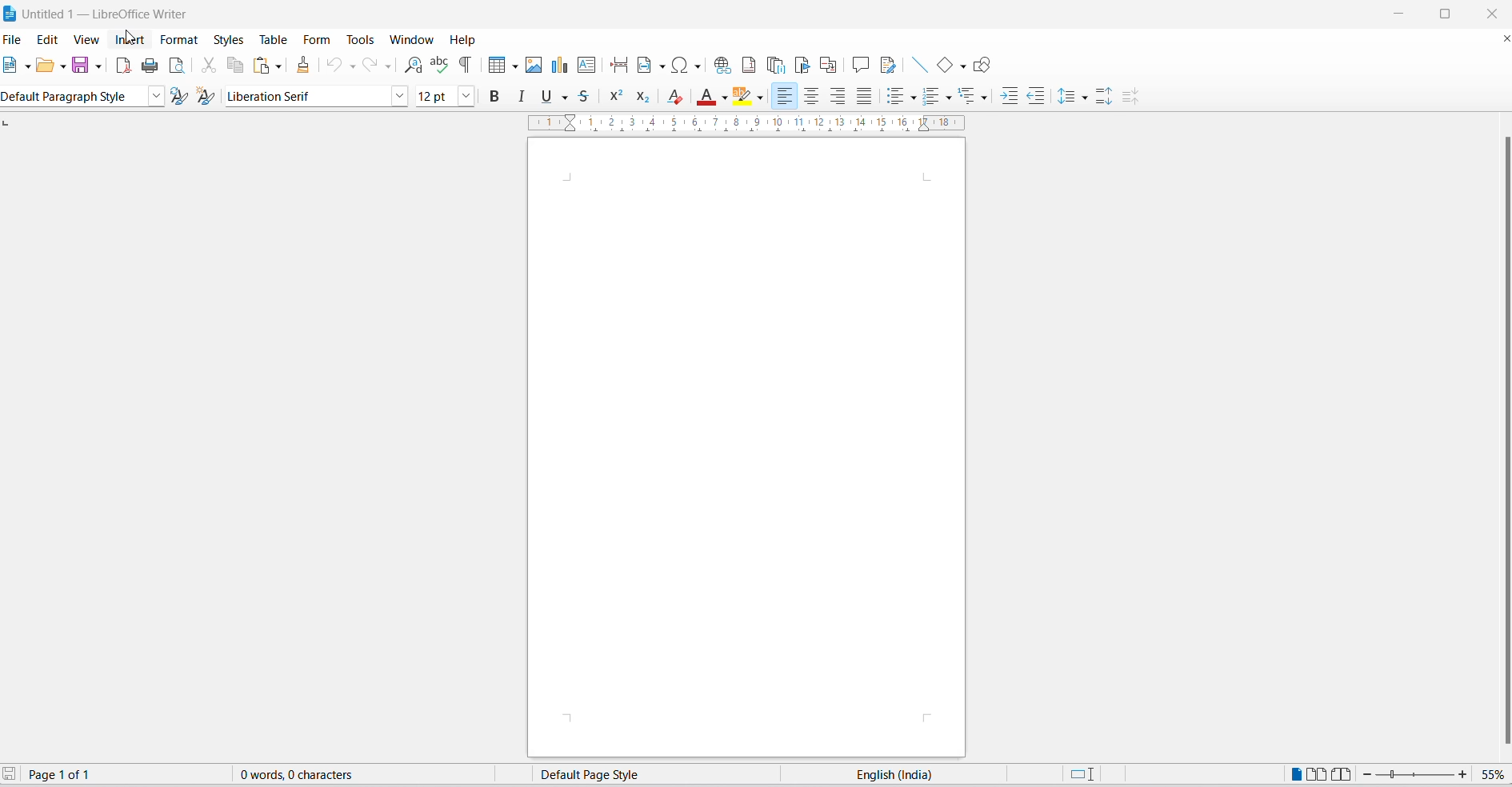 Image resolution: width=1512 pixels, height=787 pixels. Describe the element at coordinates (689, 66) in the screenshot. I see `special characters` at that location.